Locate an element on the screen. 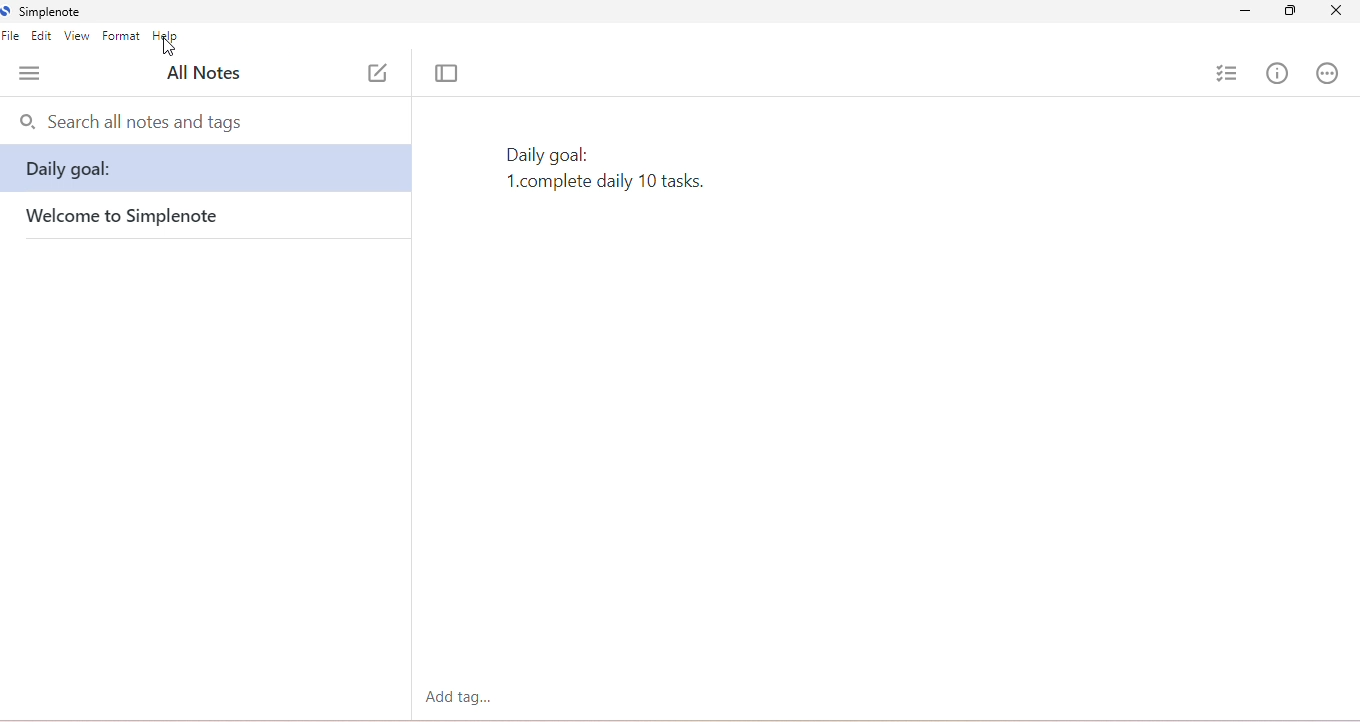 Image resolution: width=1360 pixels, height=722 pixels. insert checklist is located at coordinates (1227, 73).